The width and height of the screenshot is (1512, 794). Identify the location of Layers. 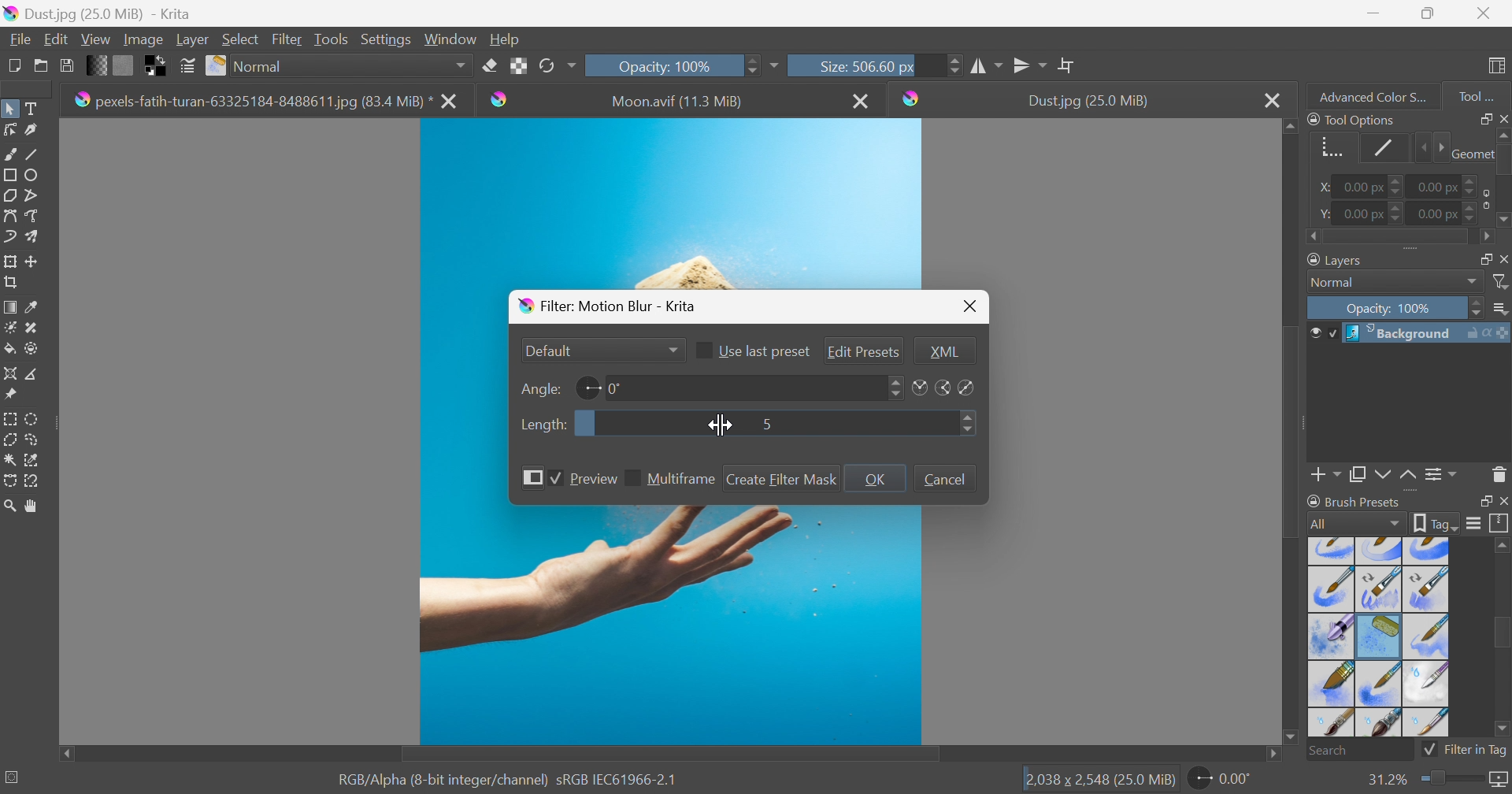
(1337, 258).